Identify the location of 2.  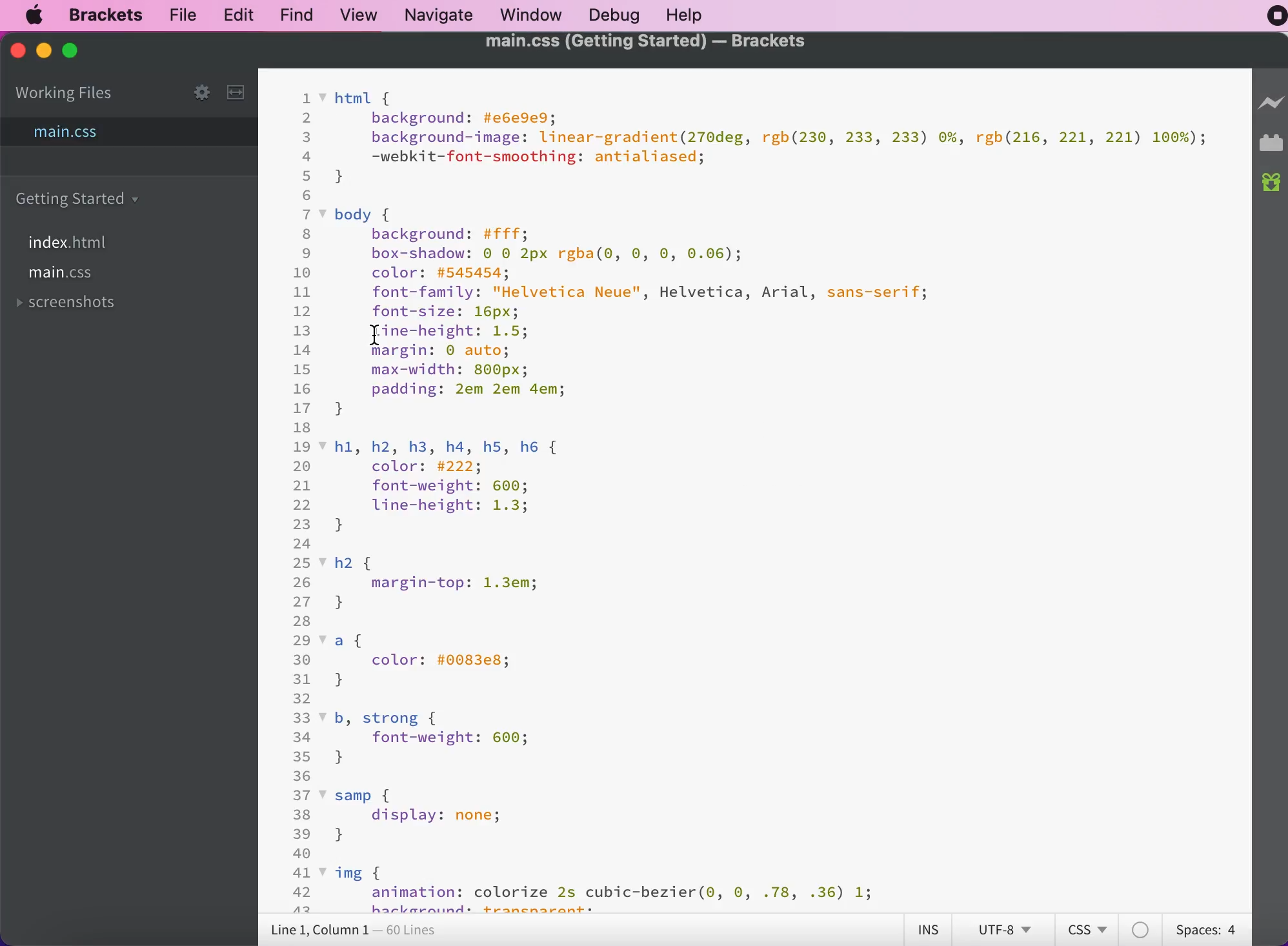
(307, 117).